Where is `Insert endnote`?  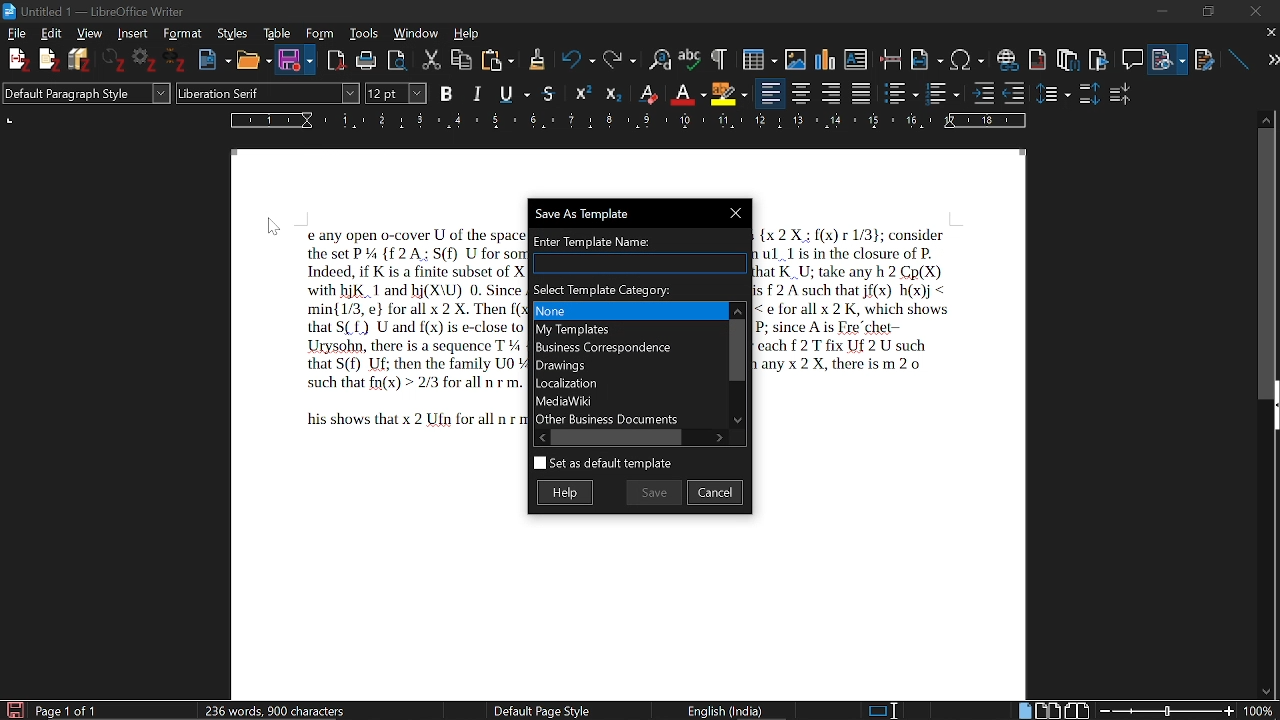
Insert endnote is located at coordinates (1039, 55).